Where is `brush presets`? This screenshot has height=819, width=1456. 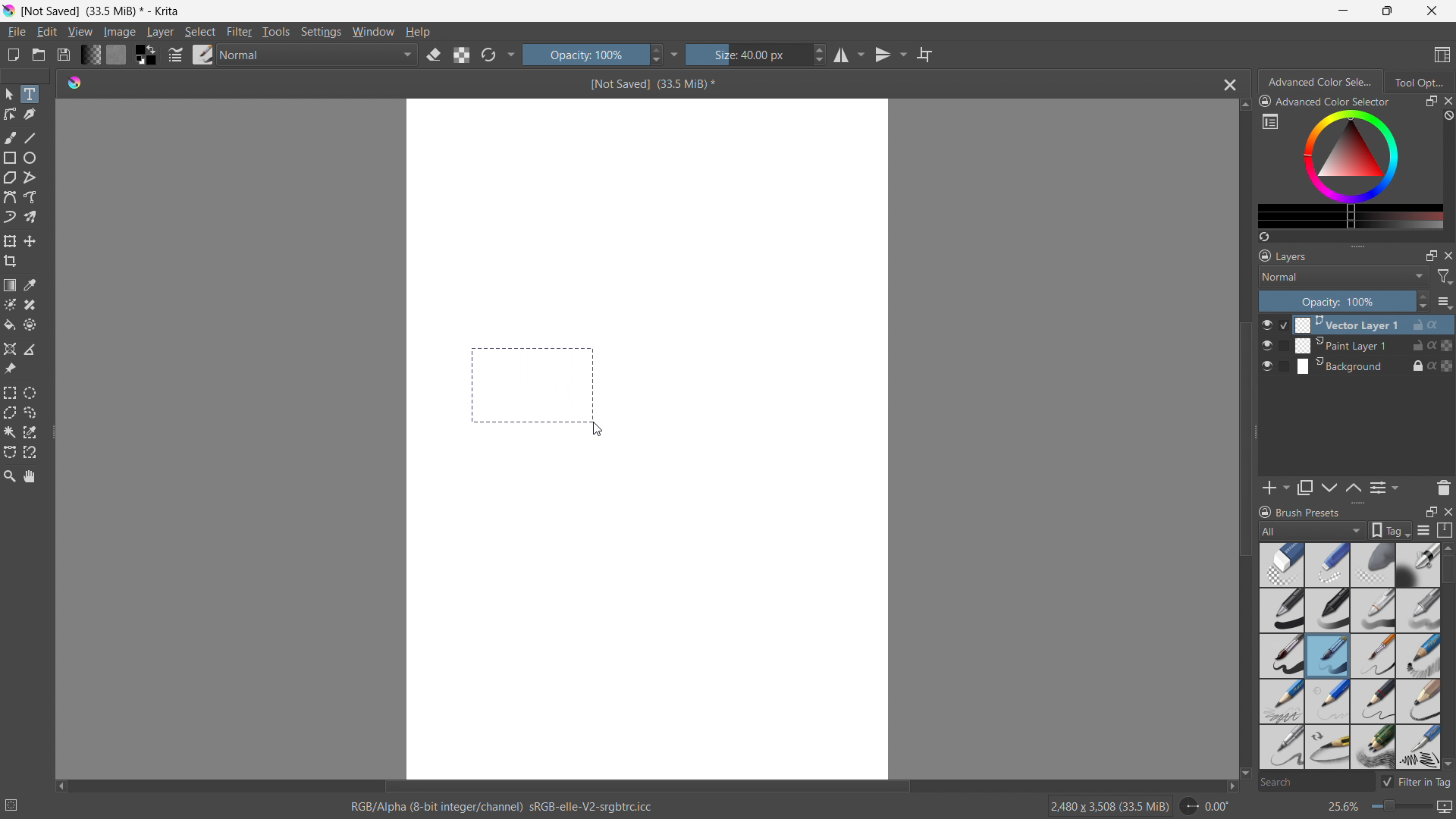 brush presets is located at coordinates (203, 54).